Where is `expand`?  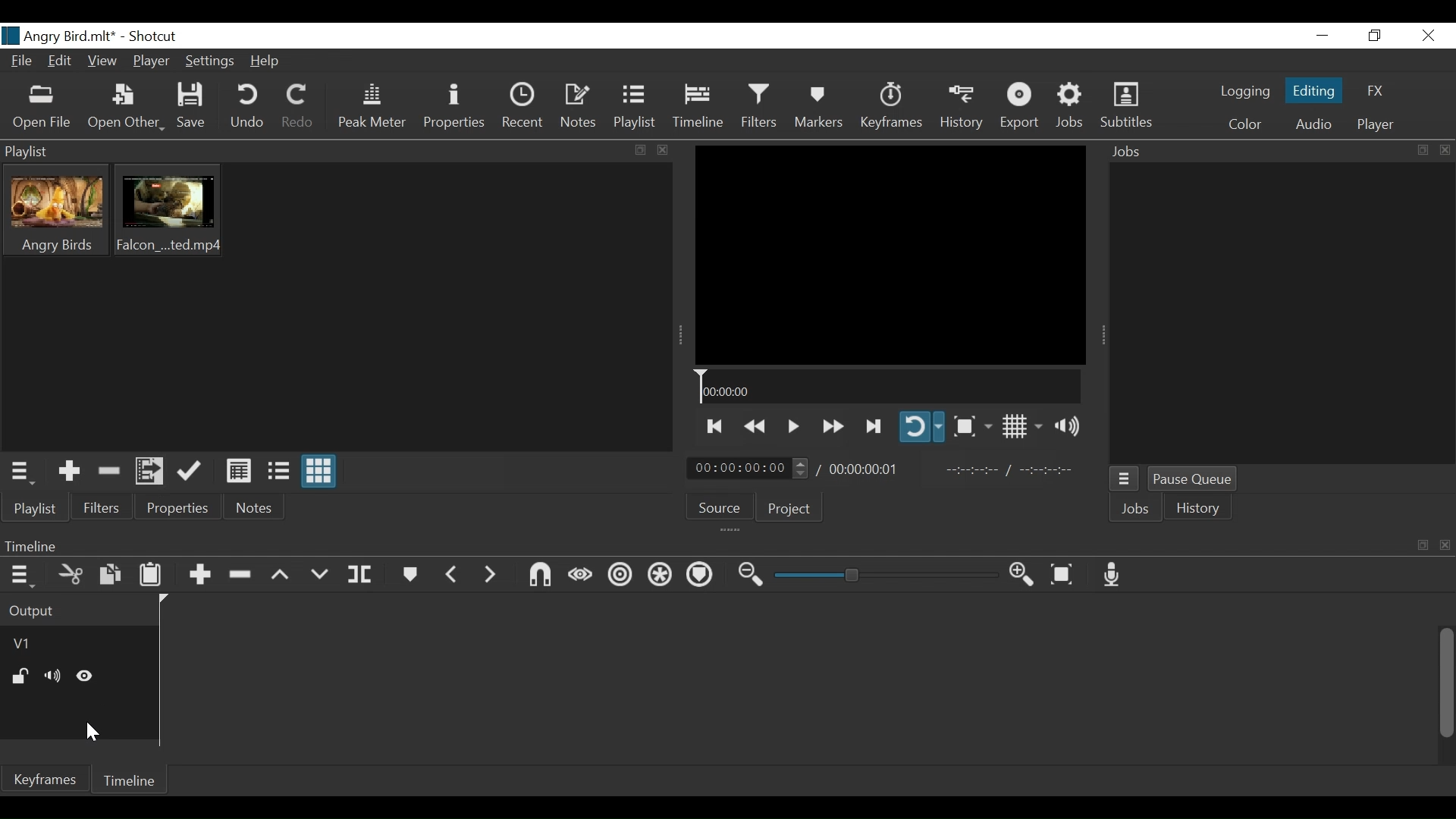 expand is located at coordinates (1423, 150).